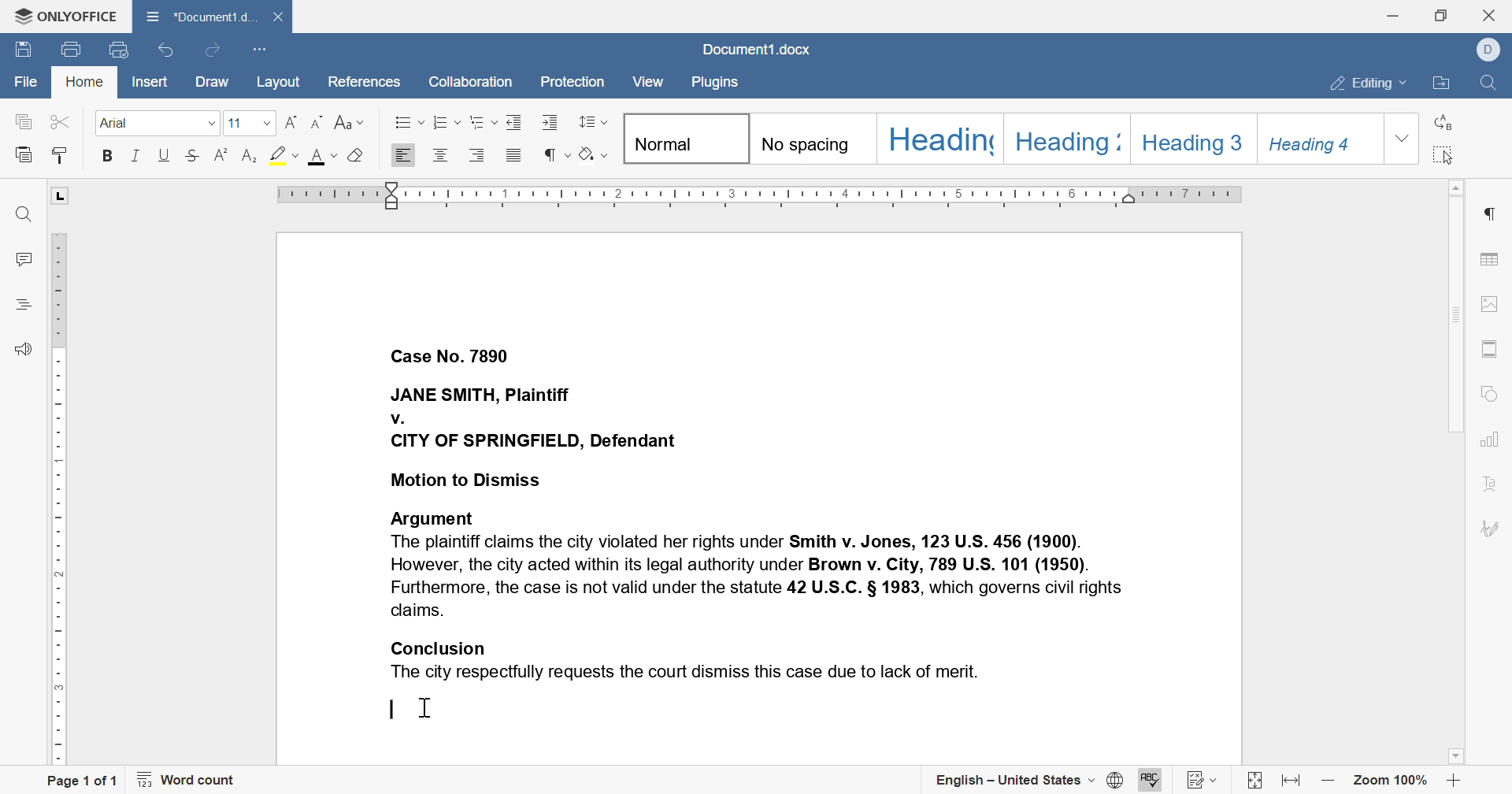  What do you see at coordinates (472, 85) in the screenshot?
I see `collaboration` at bounding box center [472, 85].